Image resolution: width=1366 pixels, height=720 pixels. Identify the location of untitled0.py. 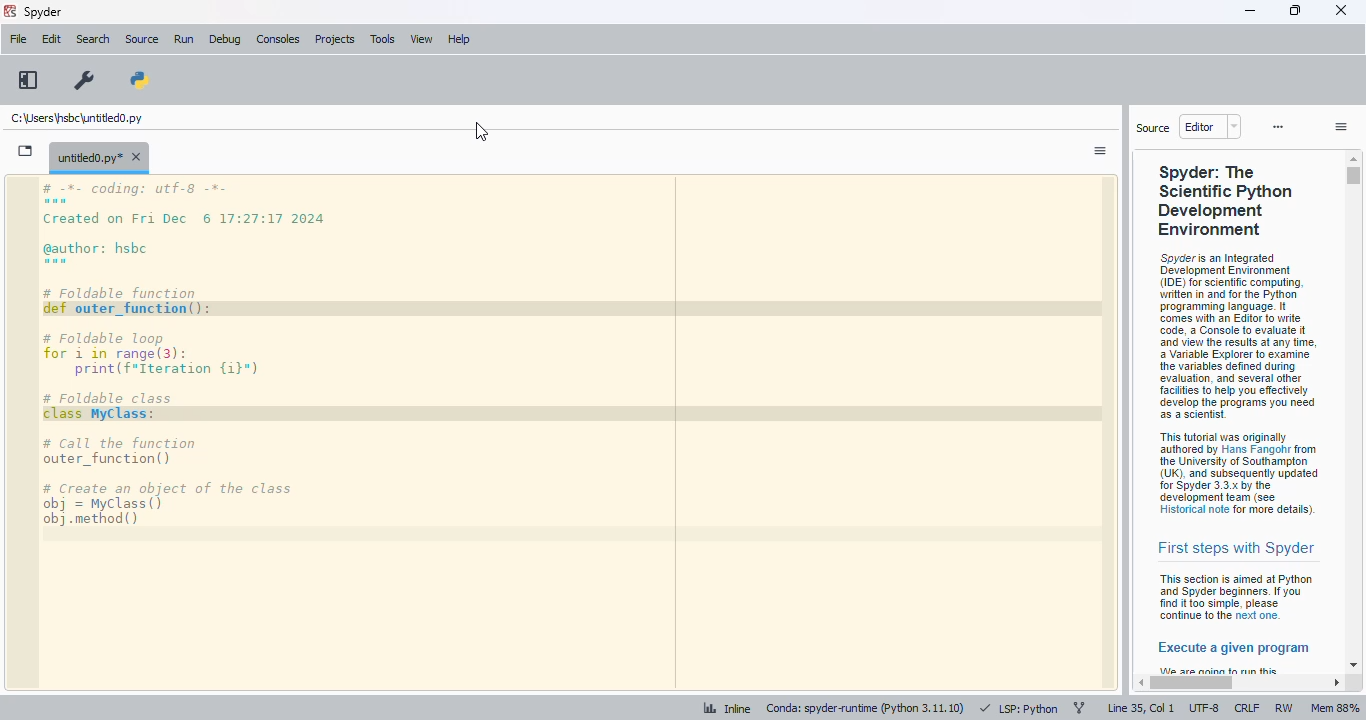
(100, 157).